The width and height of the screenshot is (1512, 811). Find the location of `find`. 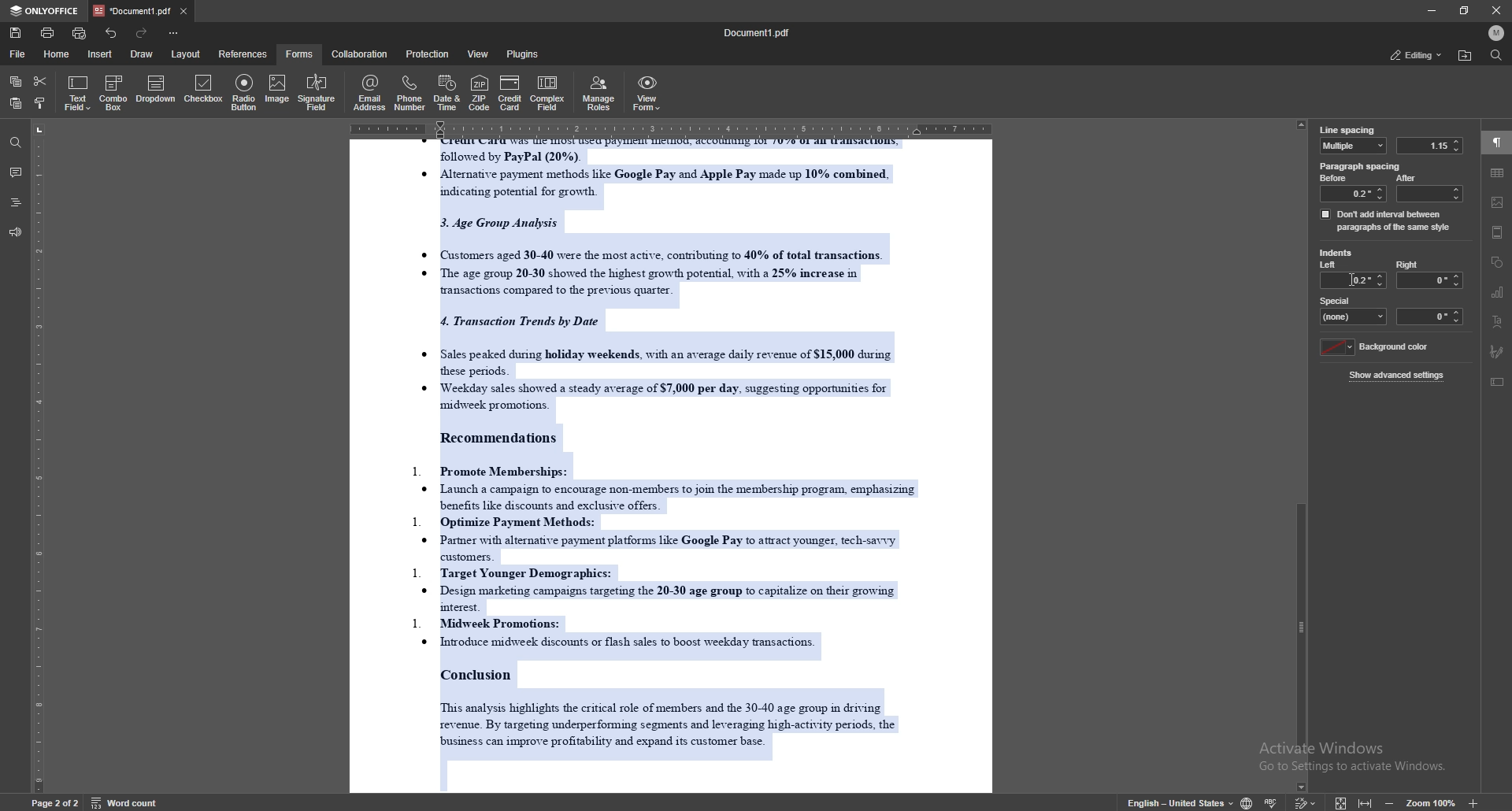

find is located at coordinates (16, 143).